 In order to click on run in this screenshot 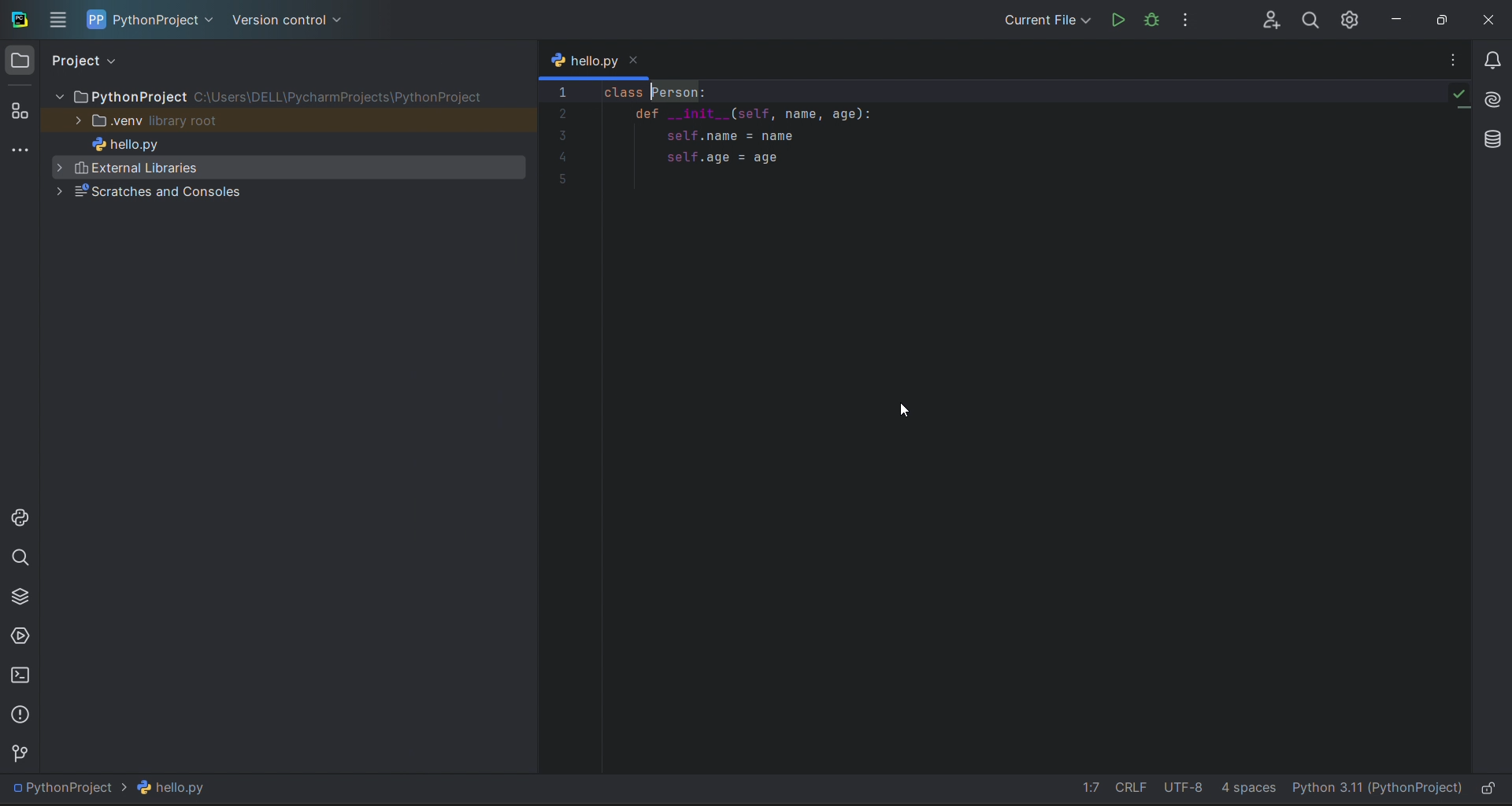, I will do `click(1119, 20)`.